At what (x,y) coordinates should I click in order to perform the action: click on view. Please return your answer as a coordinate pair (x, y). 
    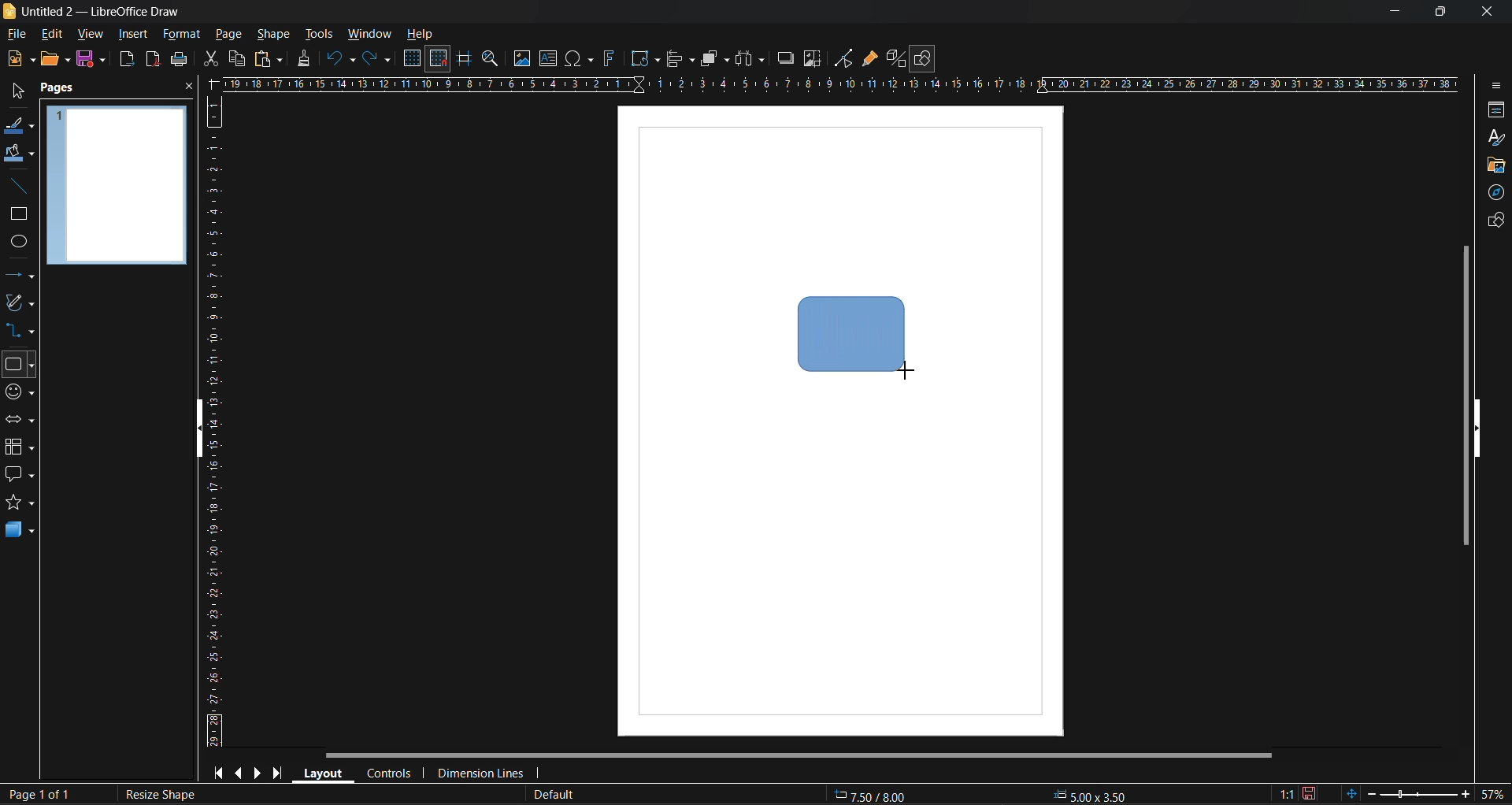
    Looking at the image, I should click on (87, 33).